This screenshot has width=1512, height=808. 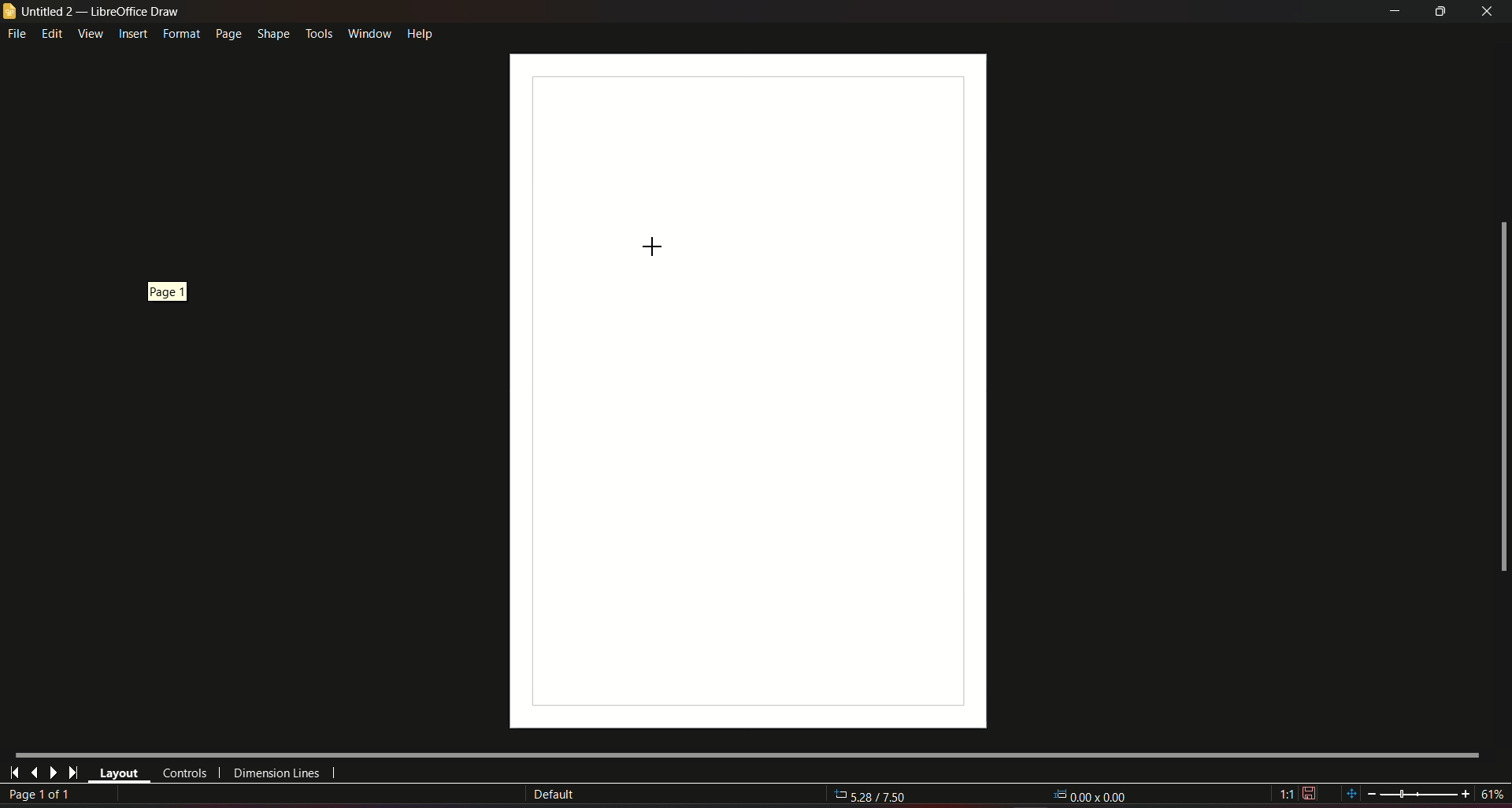 What do you see at coordinates (746, 753) in the screenshot?
I see `Horizontal scroll bar` at bounding box center [746, 753].